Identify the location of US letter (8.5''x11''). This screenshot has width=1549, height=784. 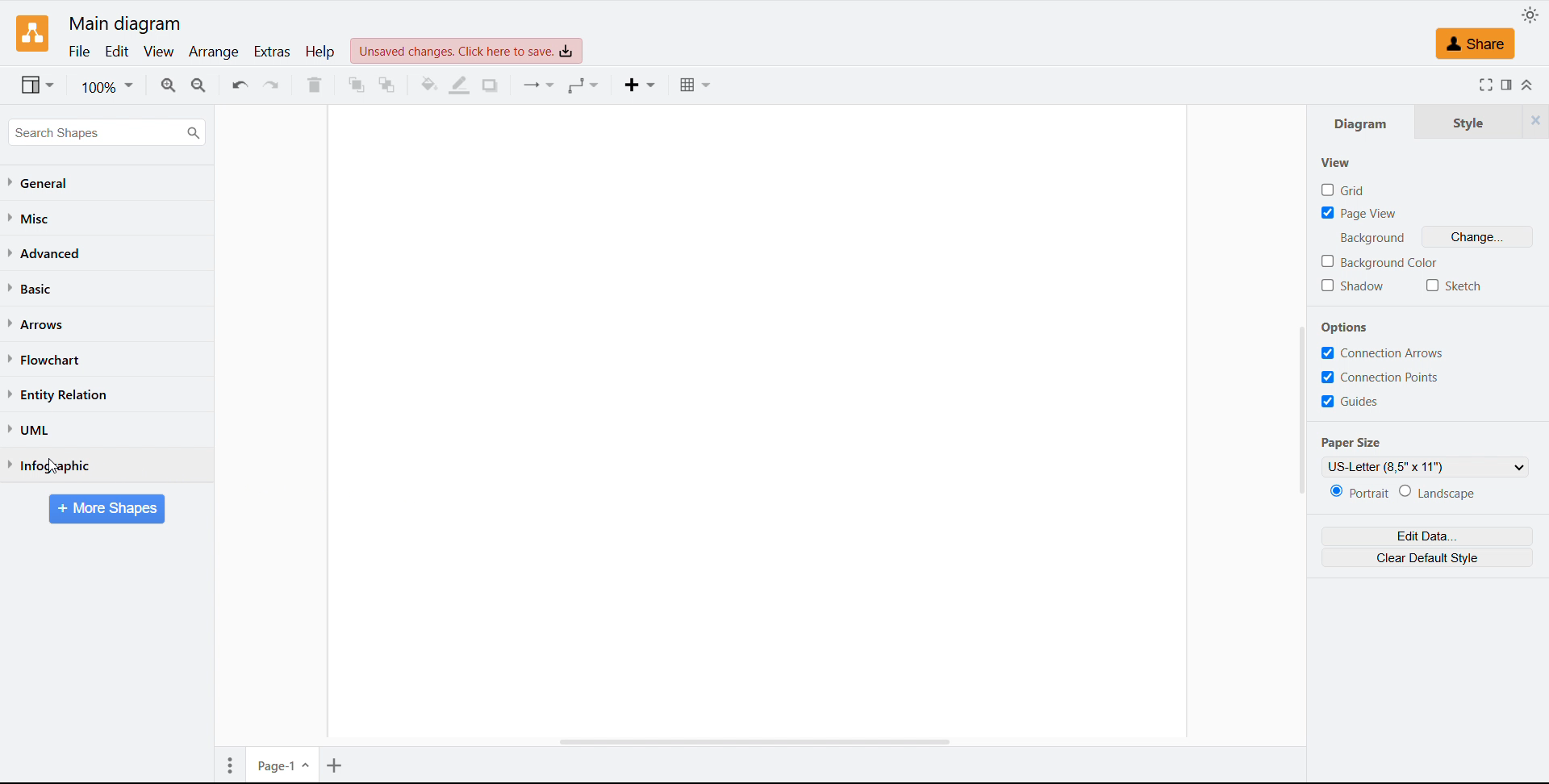
(1426, 467).